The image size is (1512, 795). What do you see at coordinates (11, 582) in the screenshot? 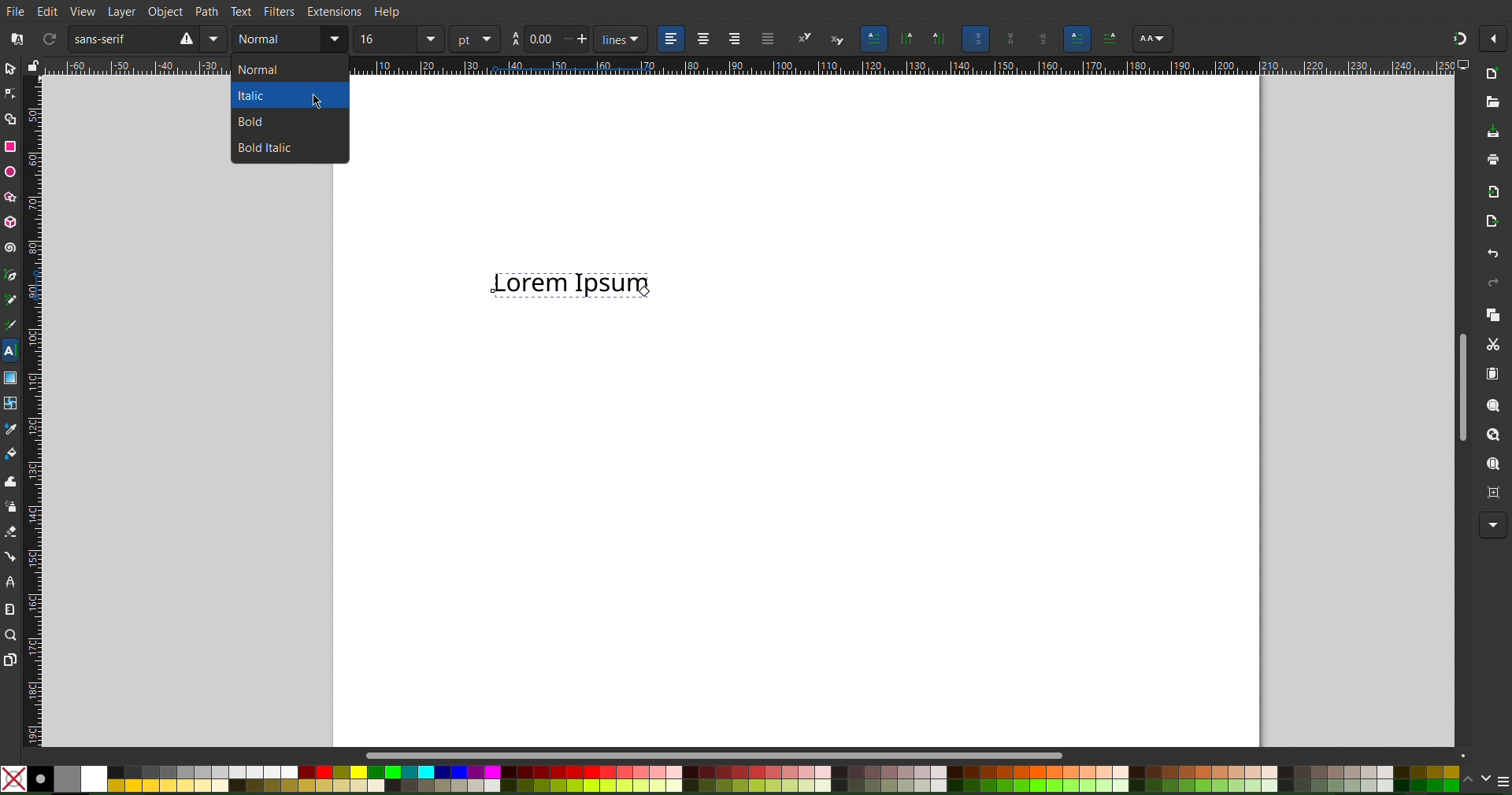
I see `LPE Tool` at bounding box center [11, 582].